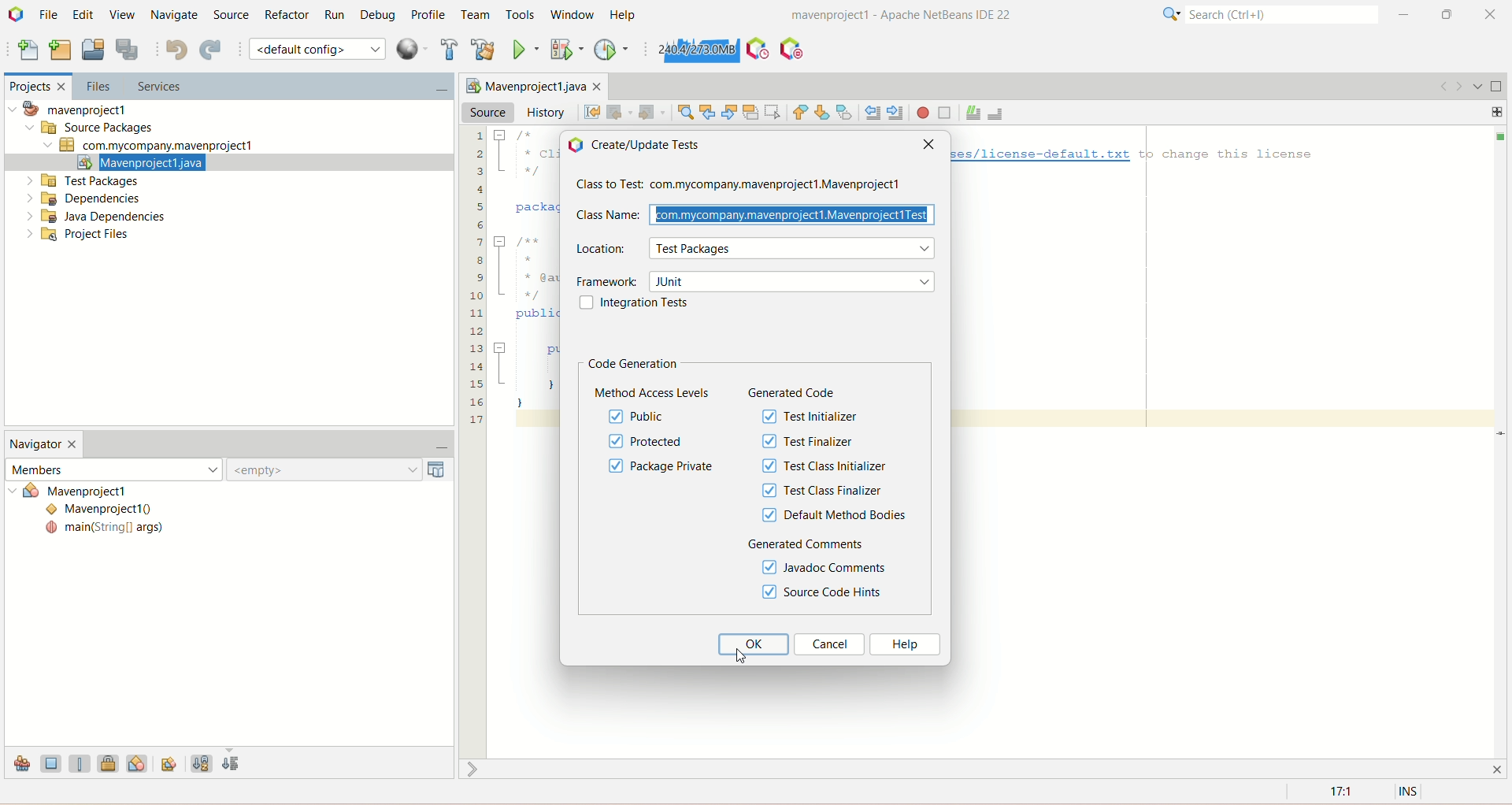  I want to click on source, so click(229, 13).